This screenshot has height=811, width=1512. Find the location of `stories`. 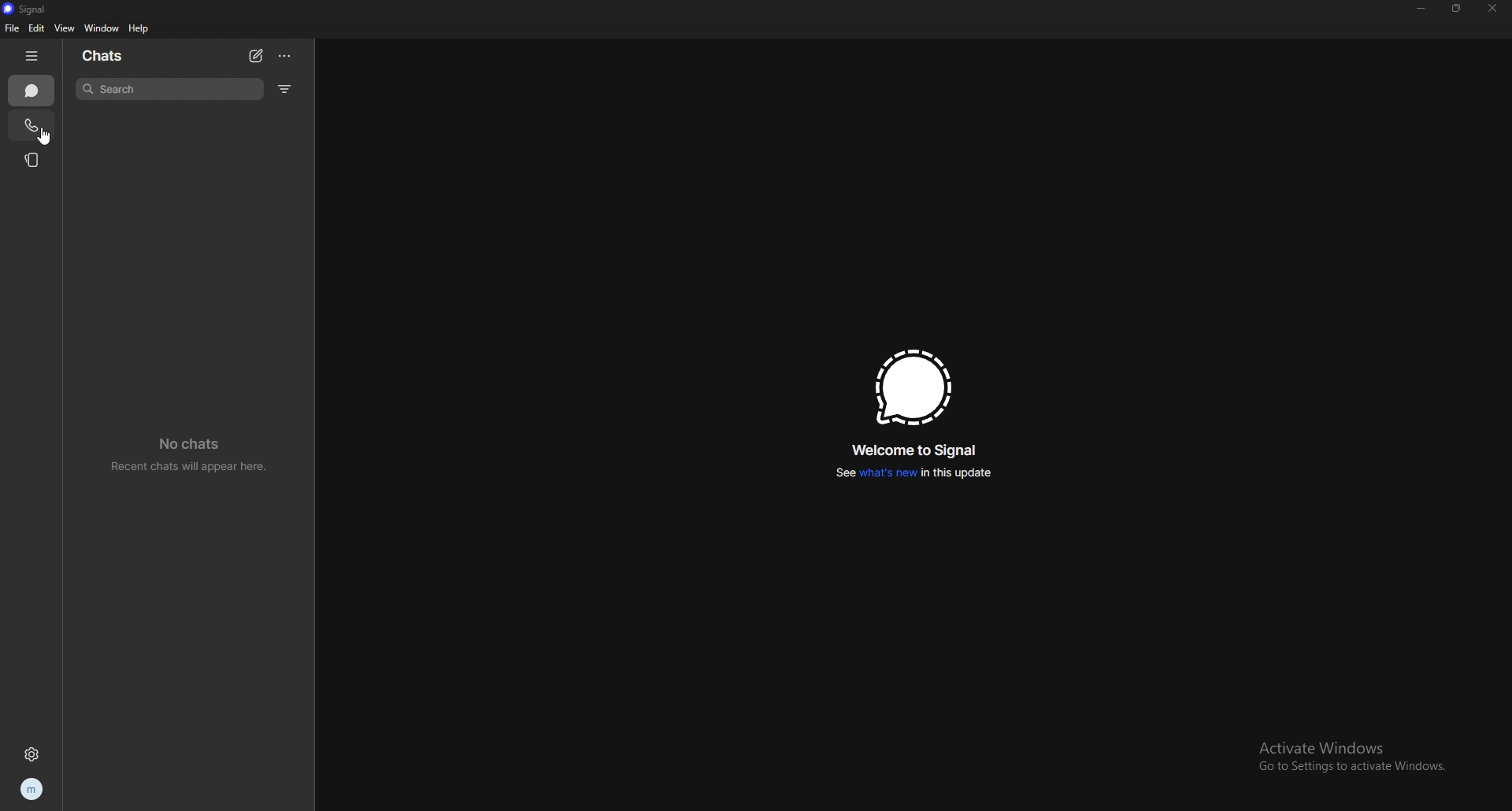

stories is located at coordinates (32, 160).